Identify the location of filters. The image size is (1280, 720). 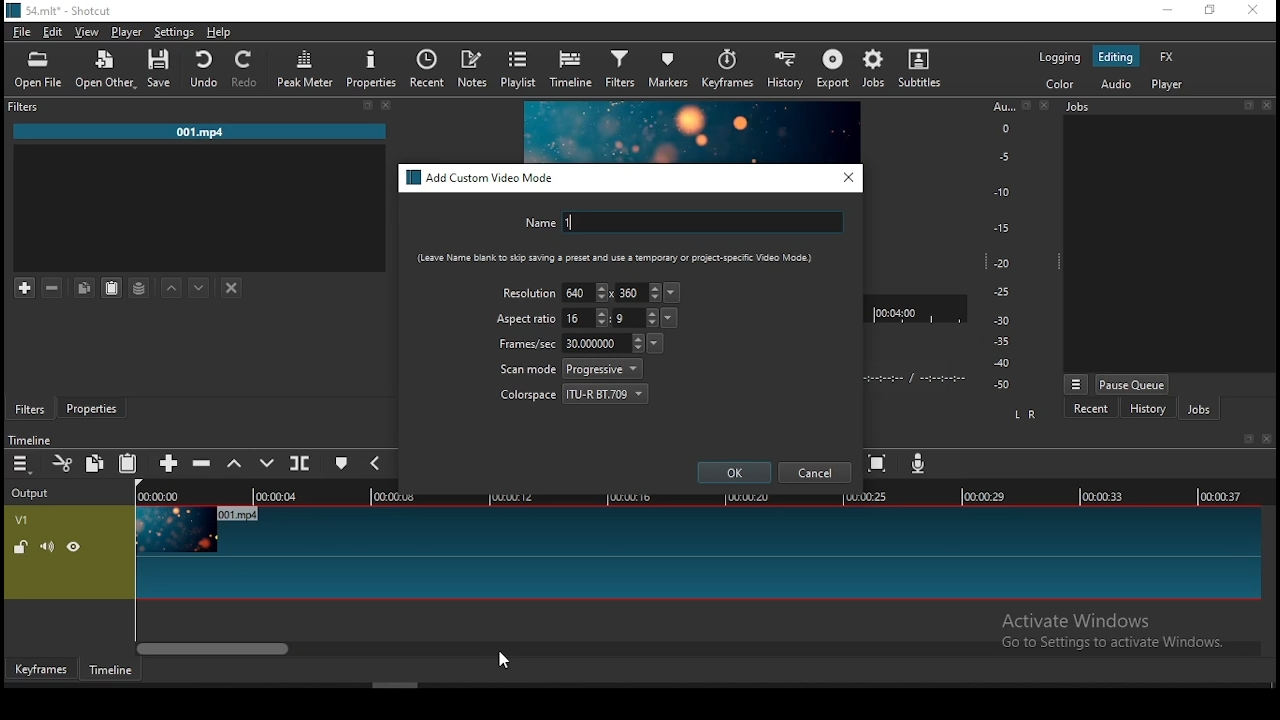
(30, 409).